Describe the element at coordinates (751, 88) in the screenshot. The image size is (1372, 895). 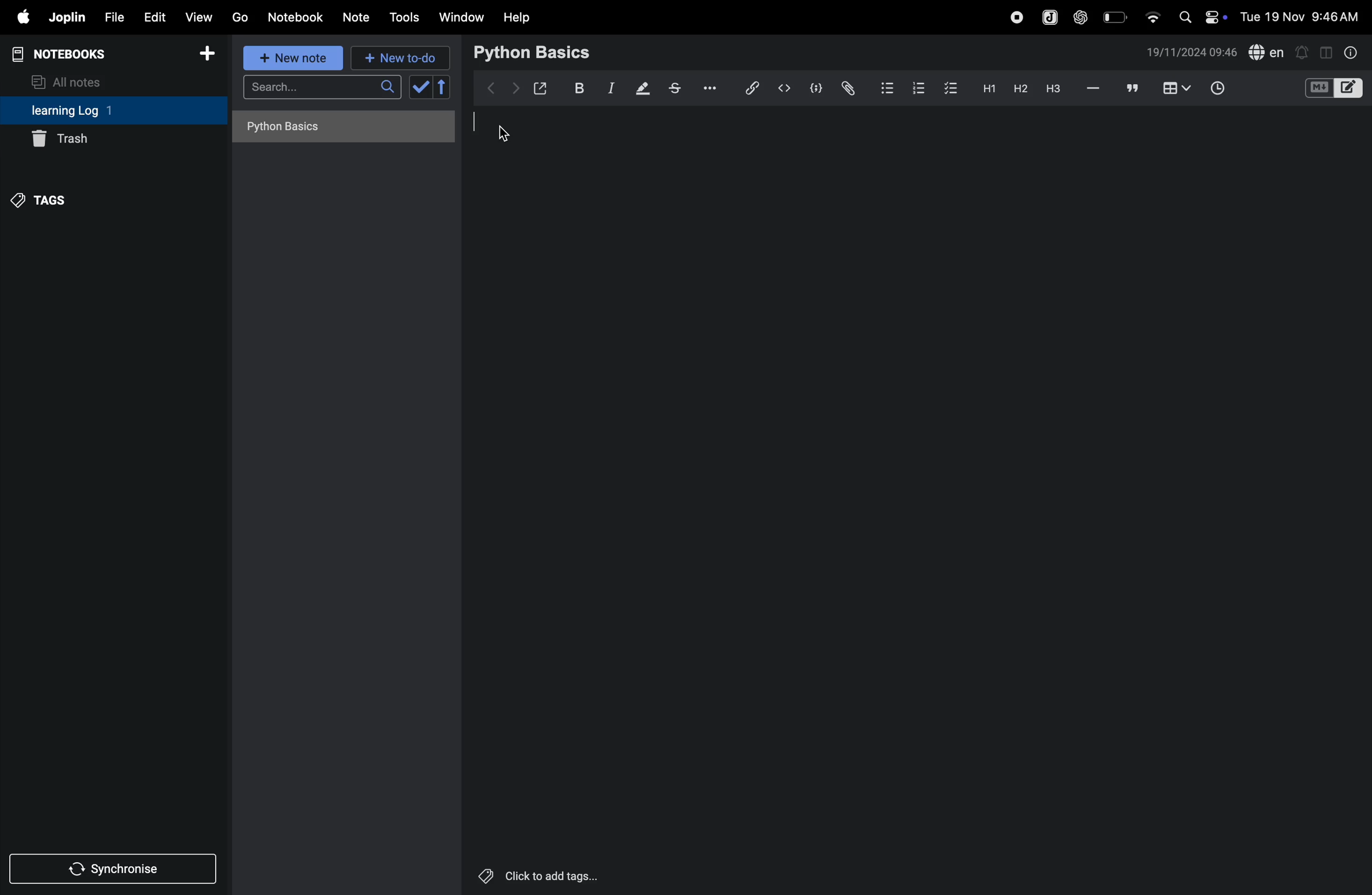
I see `hyper link` at that location.